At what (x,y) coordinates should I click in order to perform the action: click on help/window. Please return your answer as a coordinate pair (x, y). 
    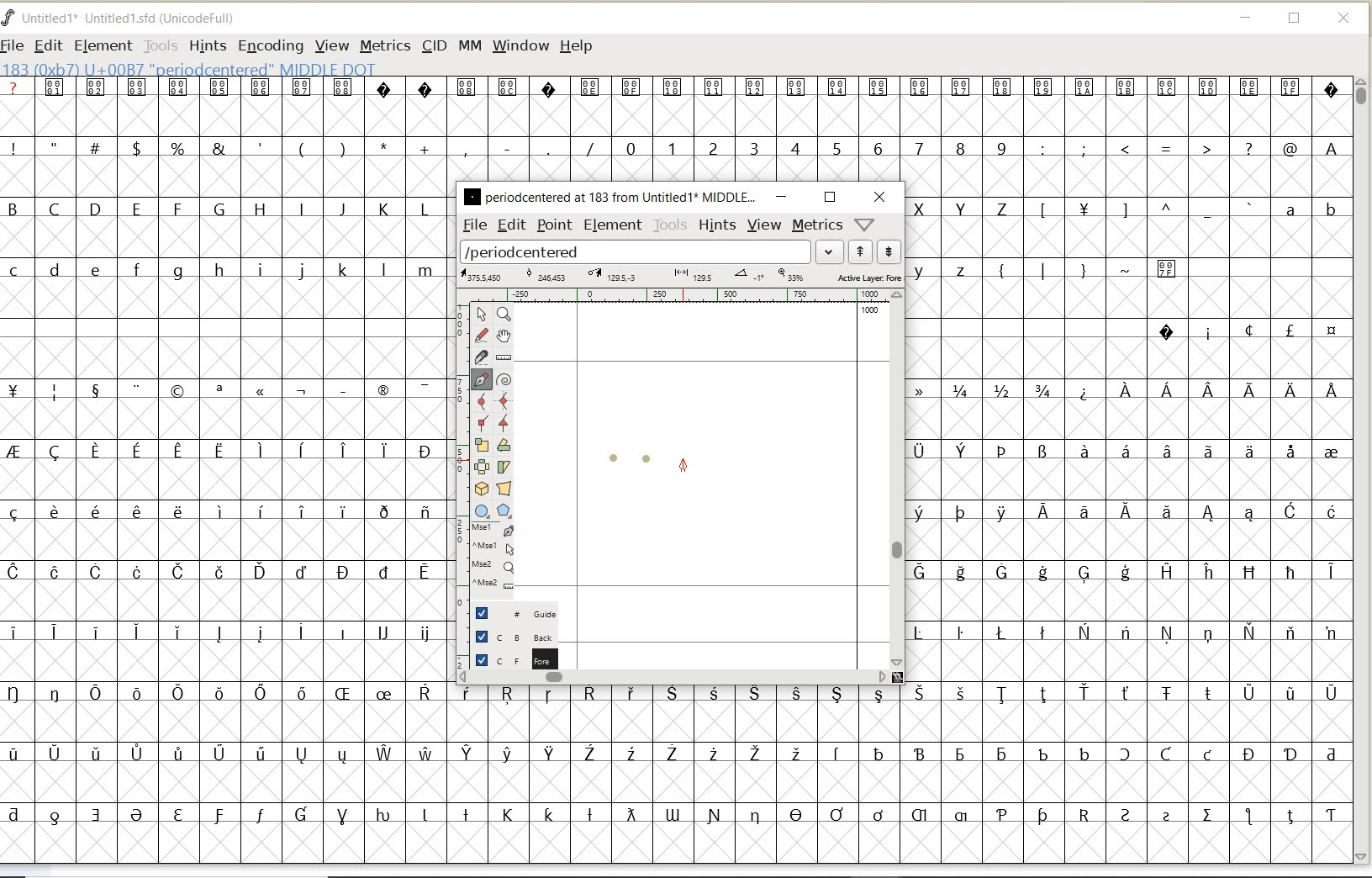
    Looking at the image, I should click on (863, 225).